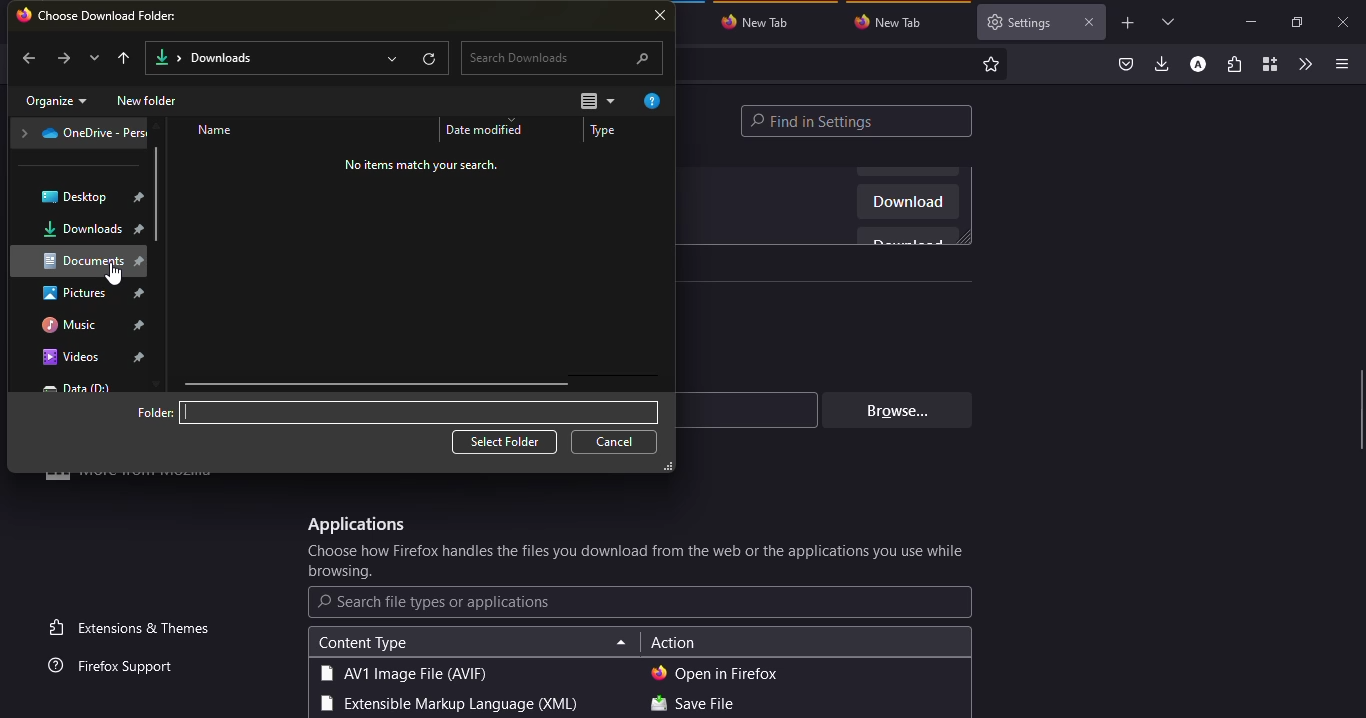 This screenshot has width=1366, height=718. What do you see at coordinates (158, 199) in the screenshot?
I see `scroll bar` at bounding box center [158, 199].